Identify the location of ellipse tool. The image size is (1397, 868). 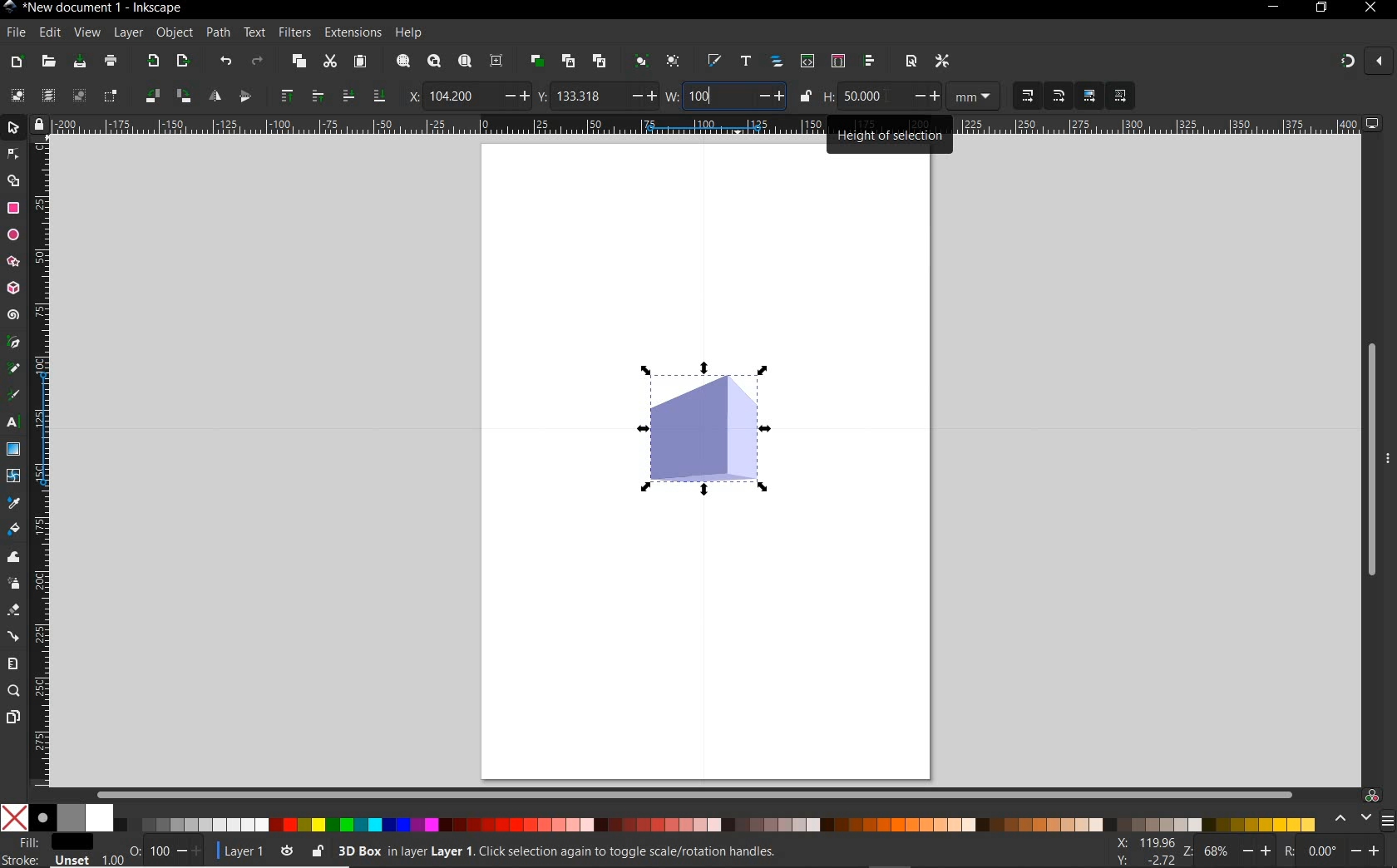
(12, 235).